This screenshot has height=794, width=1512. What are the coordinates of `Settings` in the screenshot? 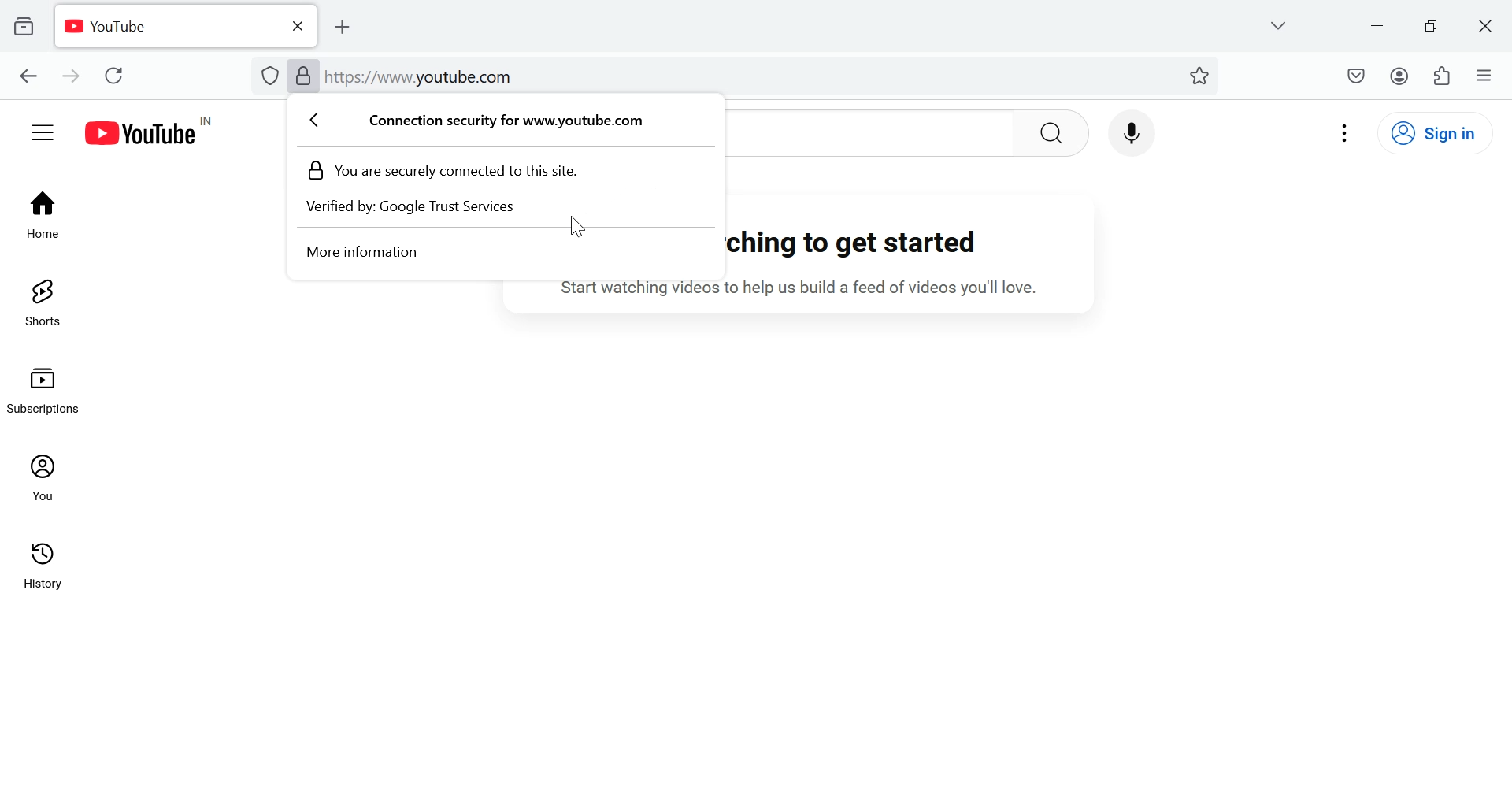 It's located at (1347, 132).